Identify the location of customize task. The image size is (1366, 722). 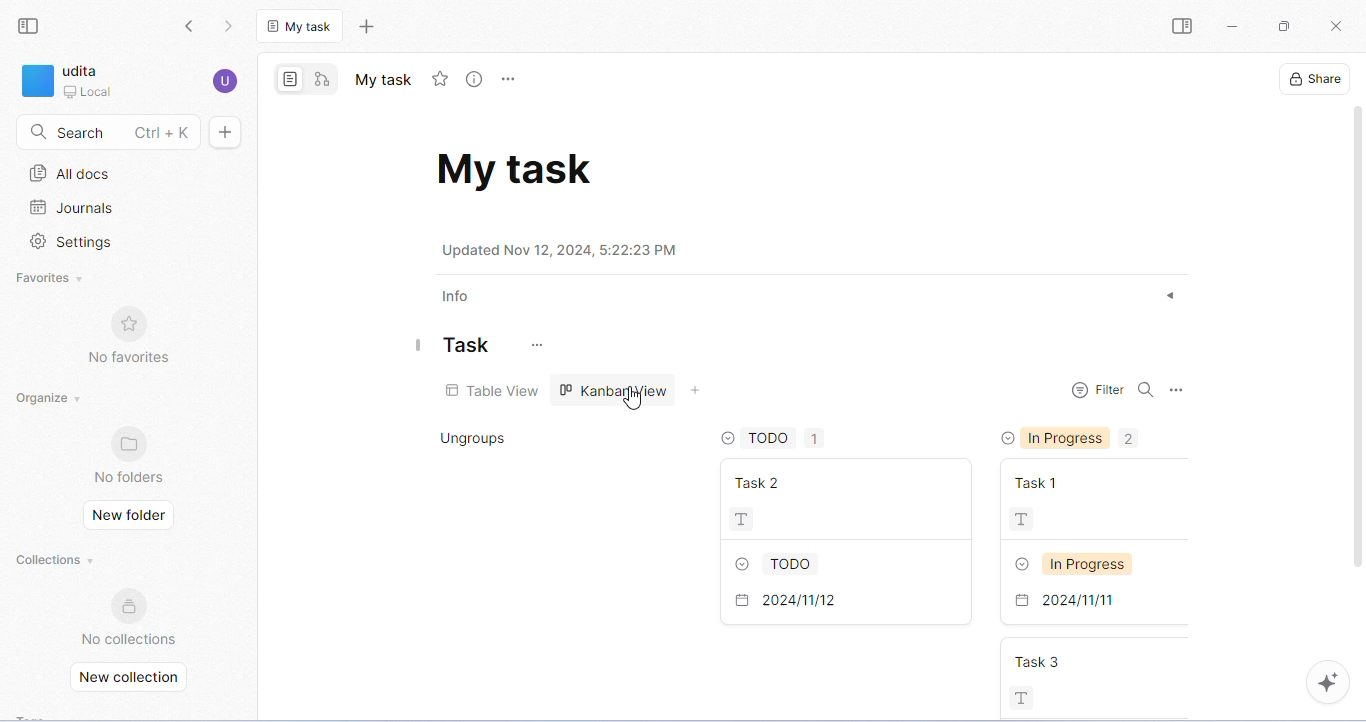
(541, 346).